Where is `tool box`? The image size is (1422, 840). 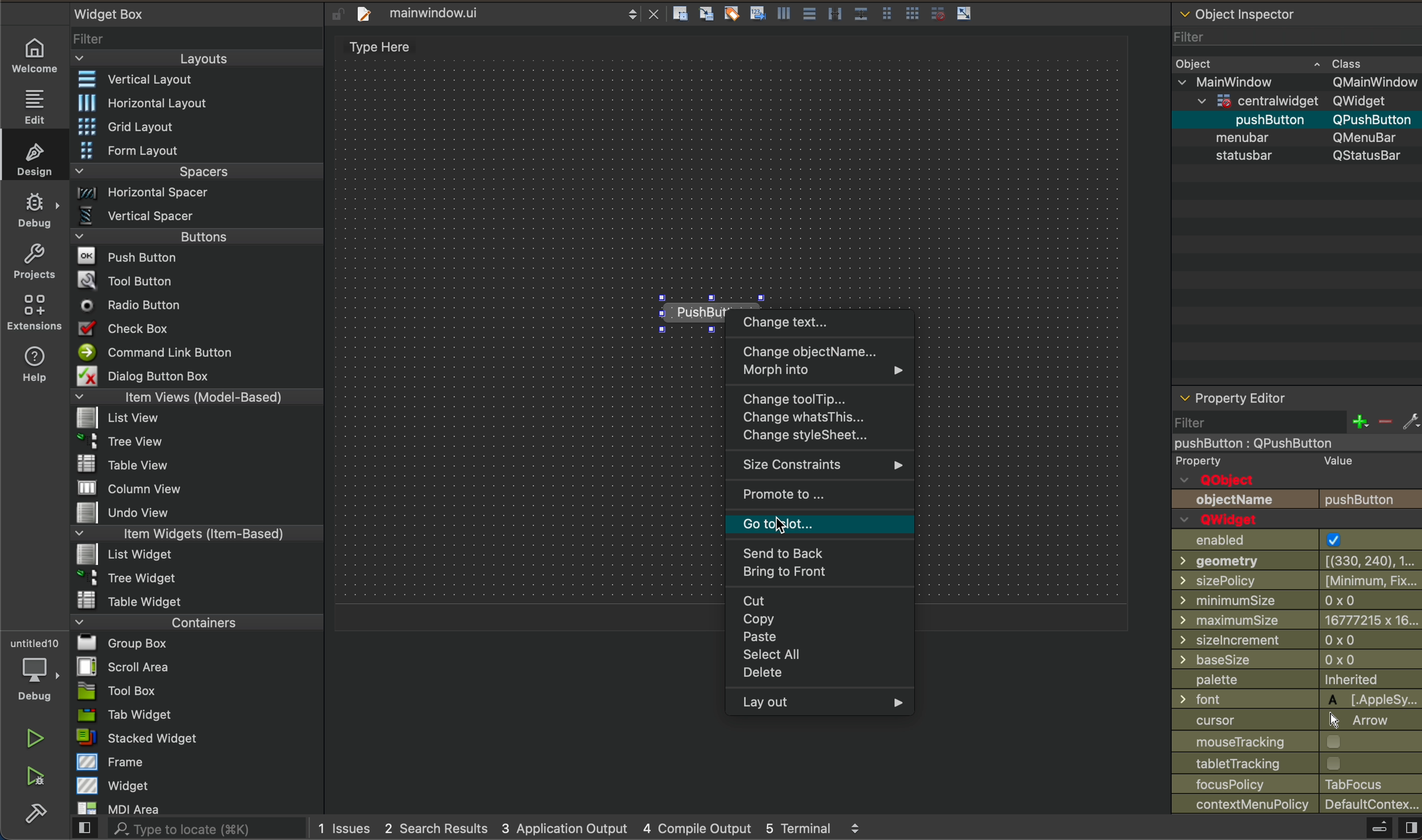 tool box is located at coordinates (194, 692).